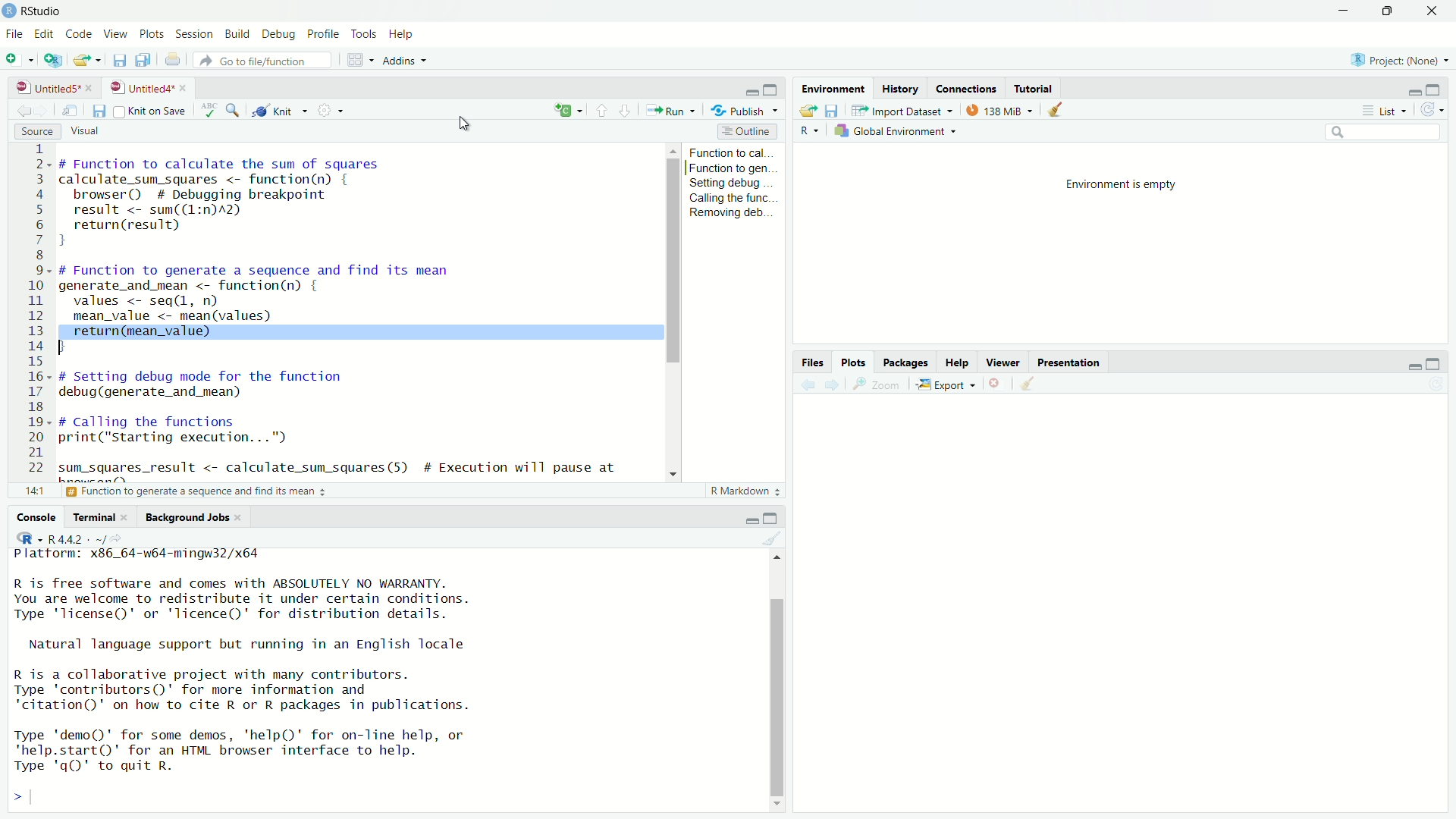 This screenshot has height=819, width=1456. What do you see at coordinates (153, 33) in the screenshot?
I see `plots` at bounding box center [153, 33].